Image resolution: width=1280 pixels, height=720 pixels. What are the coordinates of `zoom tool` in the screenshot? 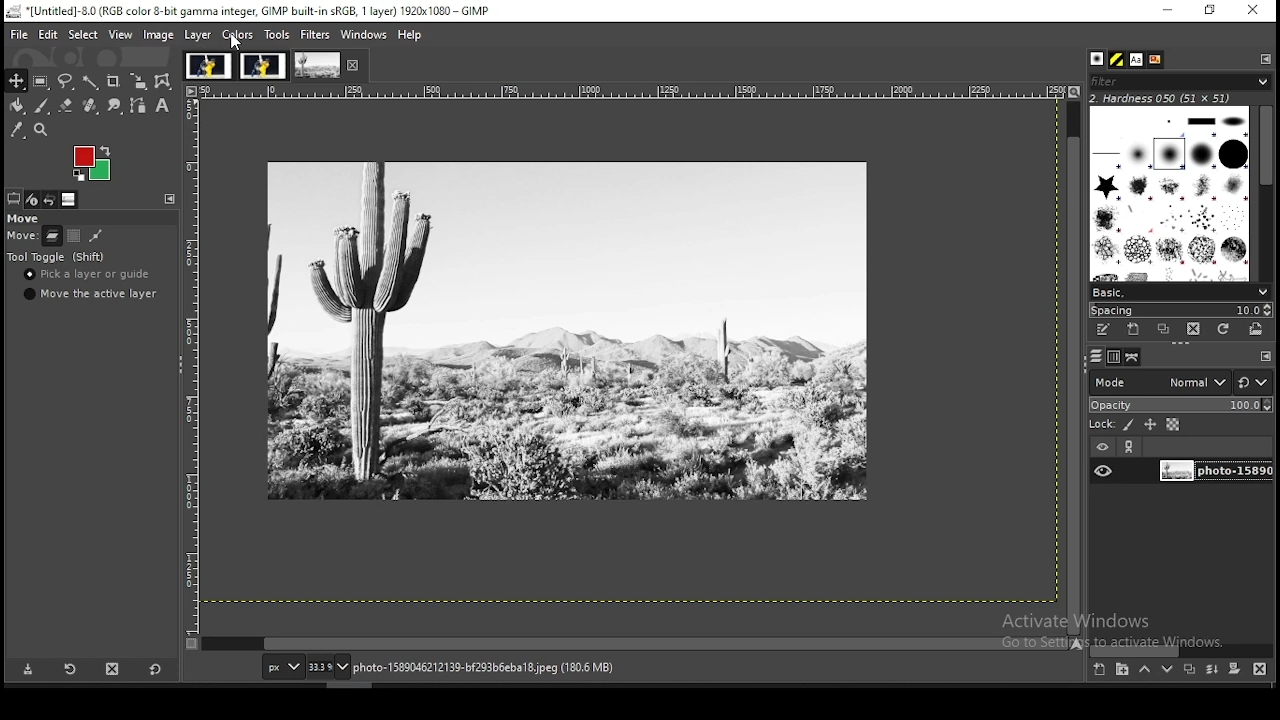 It's located at (40, 130).